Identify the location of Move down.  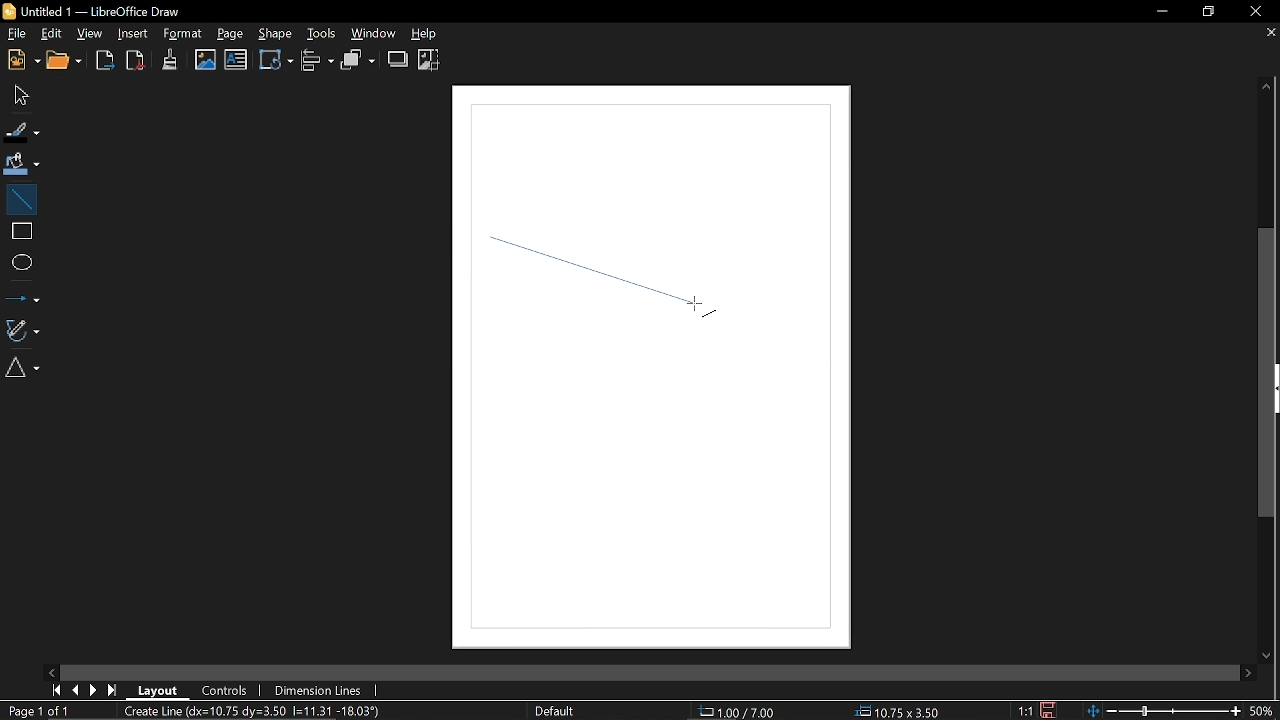
(1262, 656).